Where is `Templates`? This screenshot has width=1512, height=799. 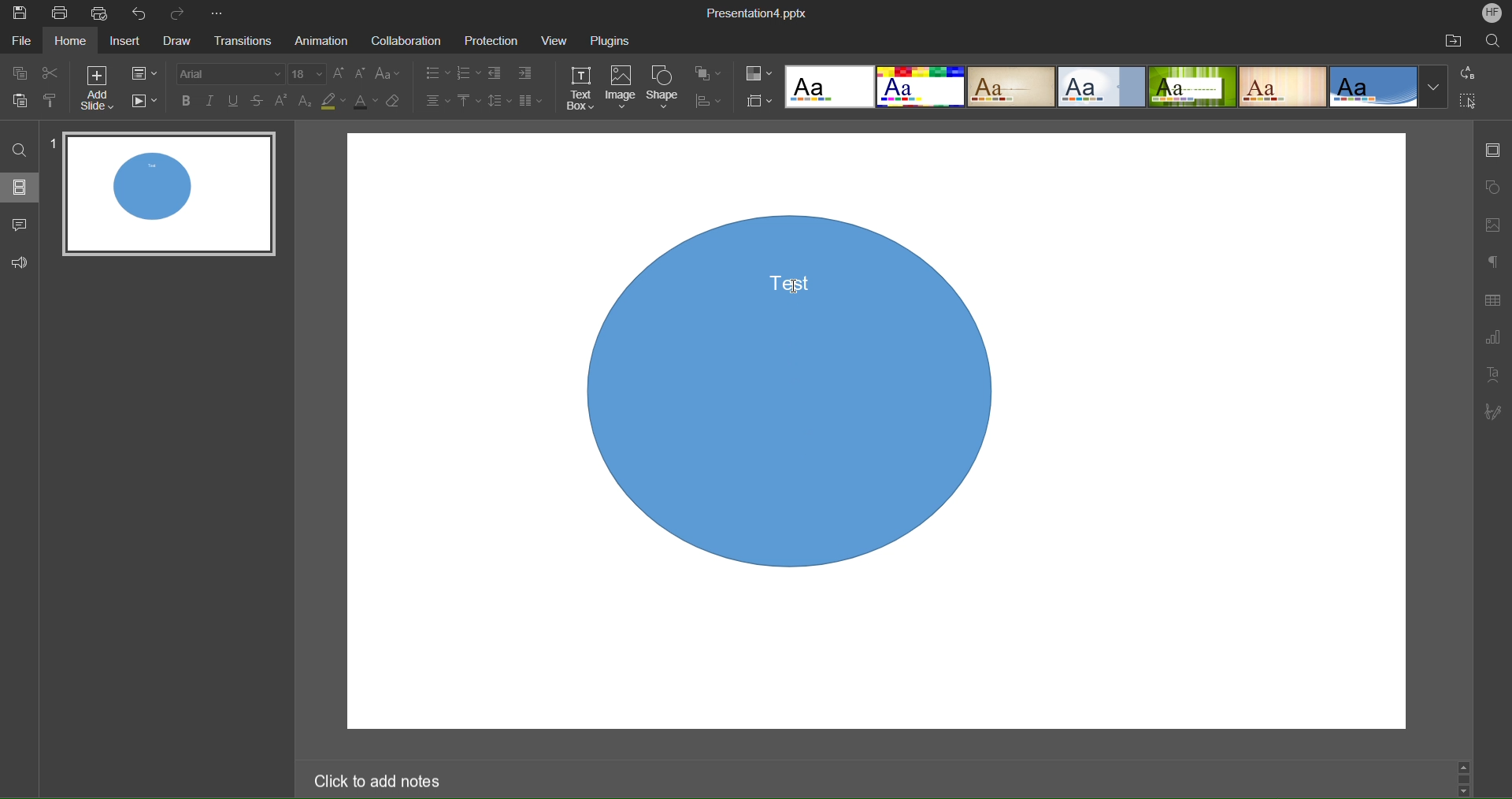
Templates is located at coordinates (1114, 87).